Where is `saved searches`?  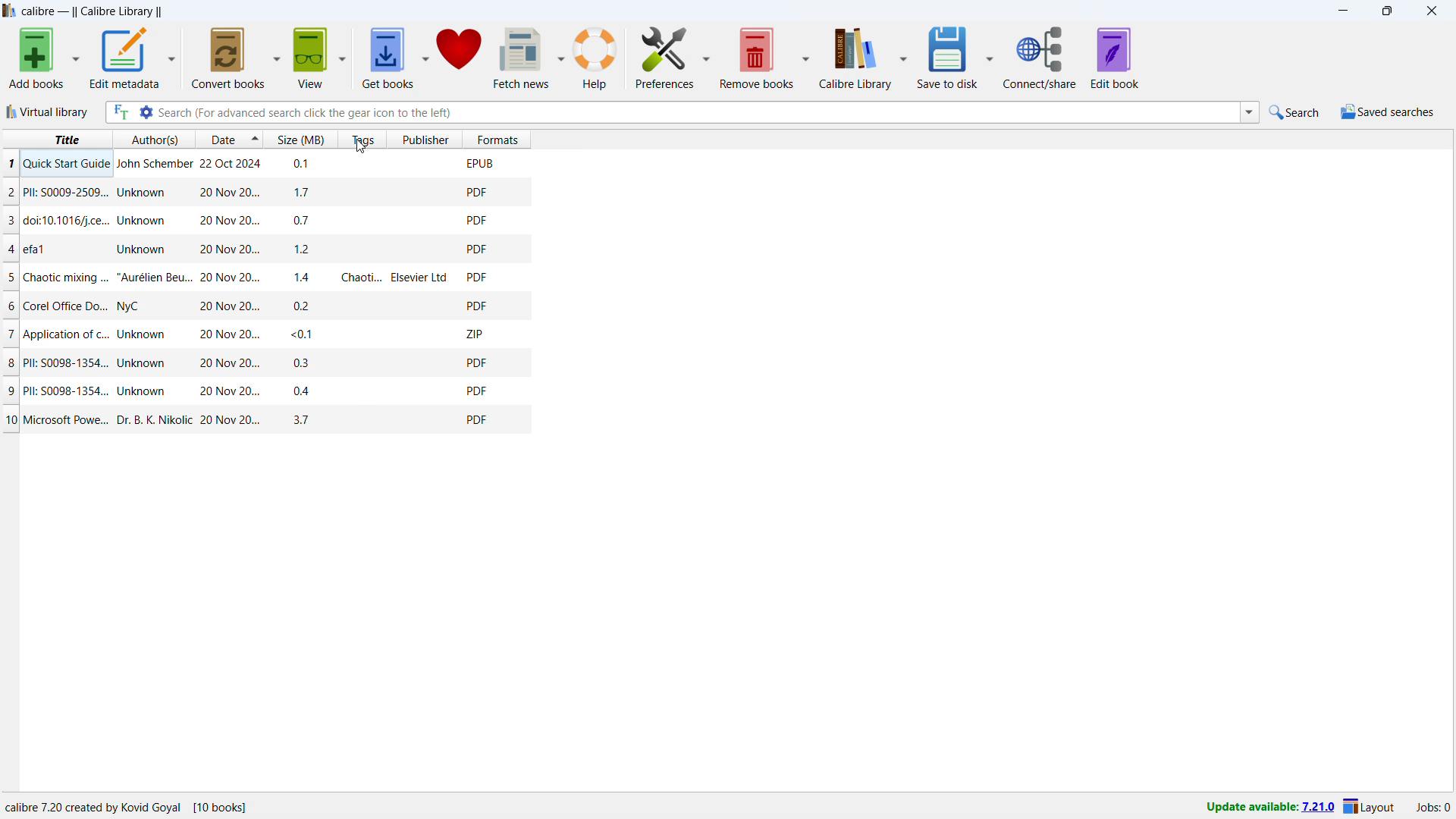
saved searches is located at coordinates (1387, 112).